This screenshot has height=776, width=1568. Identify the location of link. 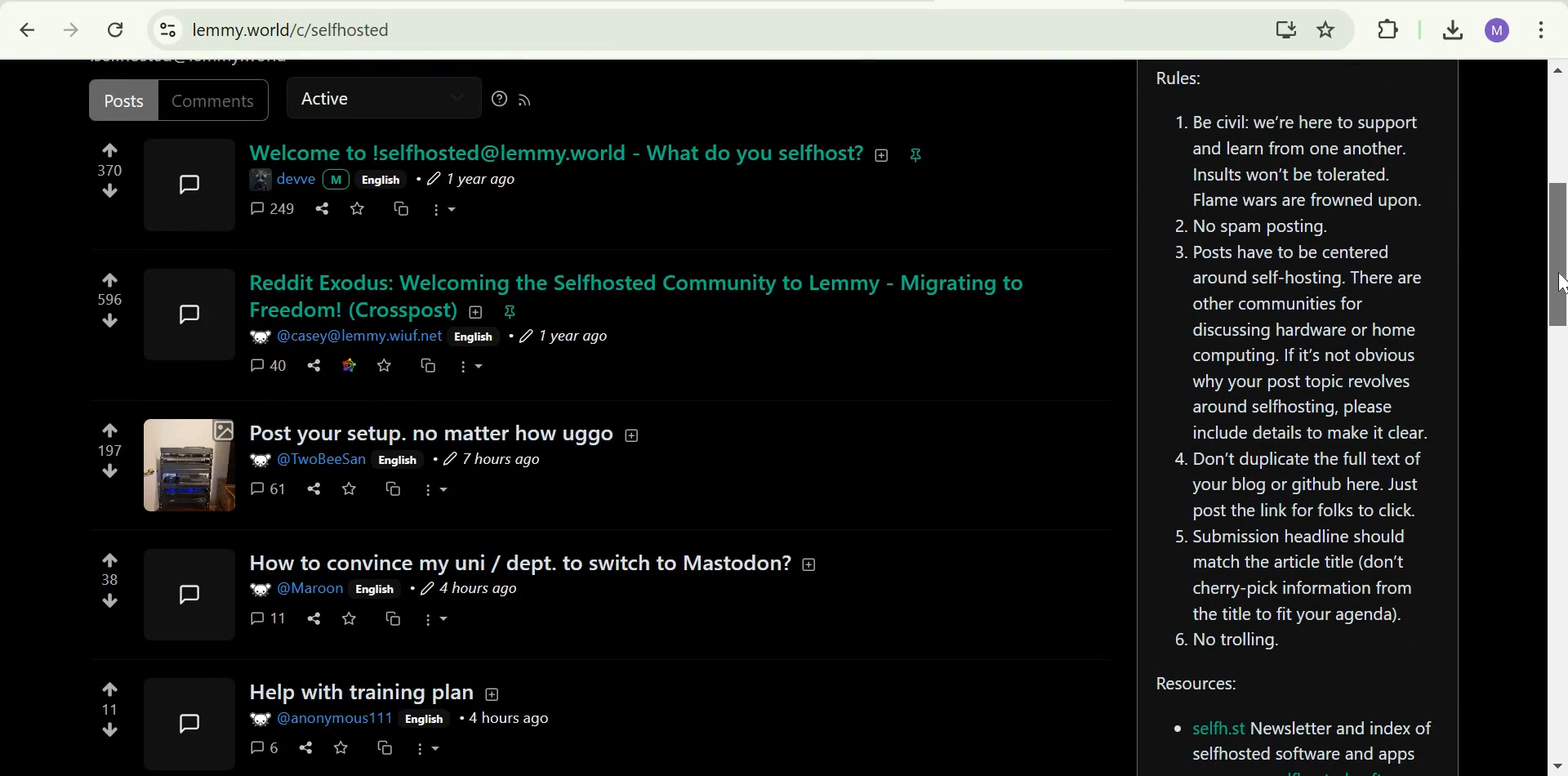
(350, 364).